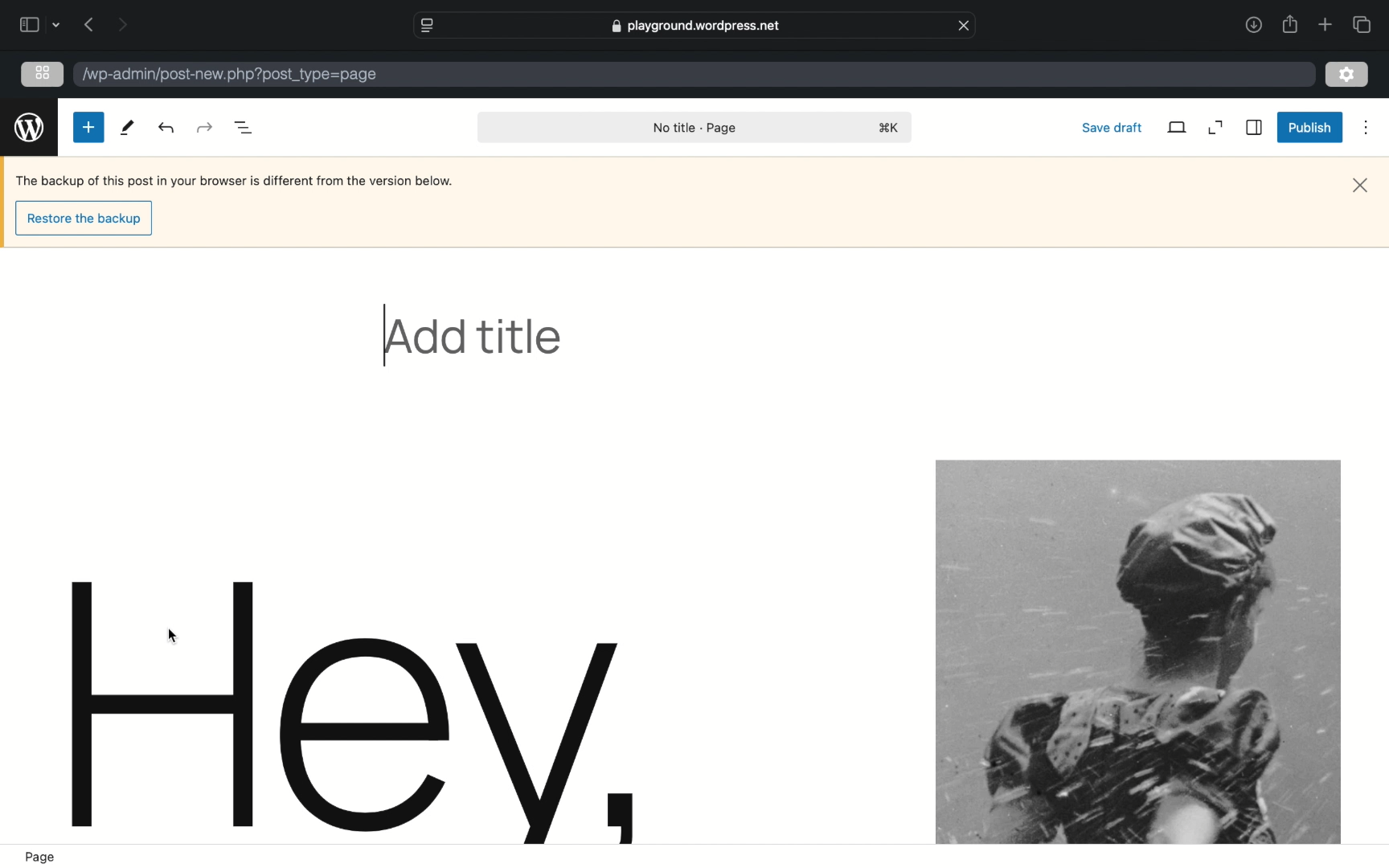 The width and height of the screenshot is (1389, 868). Describe the element at coordinates (203, 127) in the screenshot. I see `undo` at that location.